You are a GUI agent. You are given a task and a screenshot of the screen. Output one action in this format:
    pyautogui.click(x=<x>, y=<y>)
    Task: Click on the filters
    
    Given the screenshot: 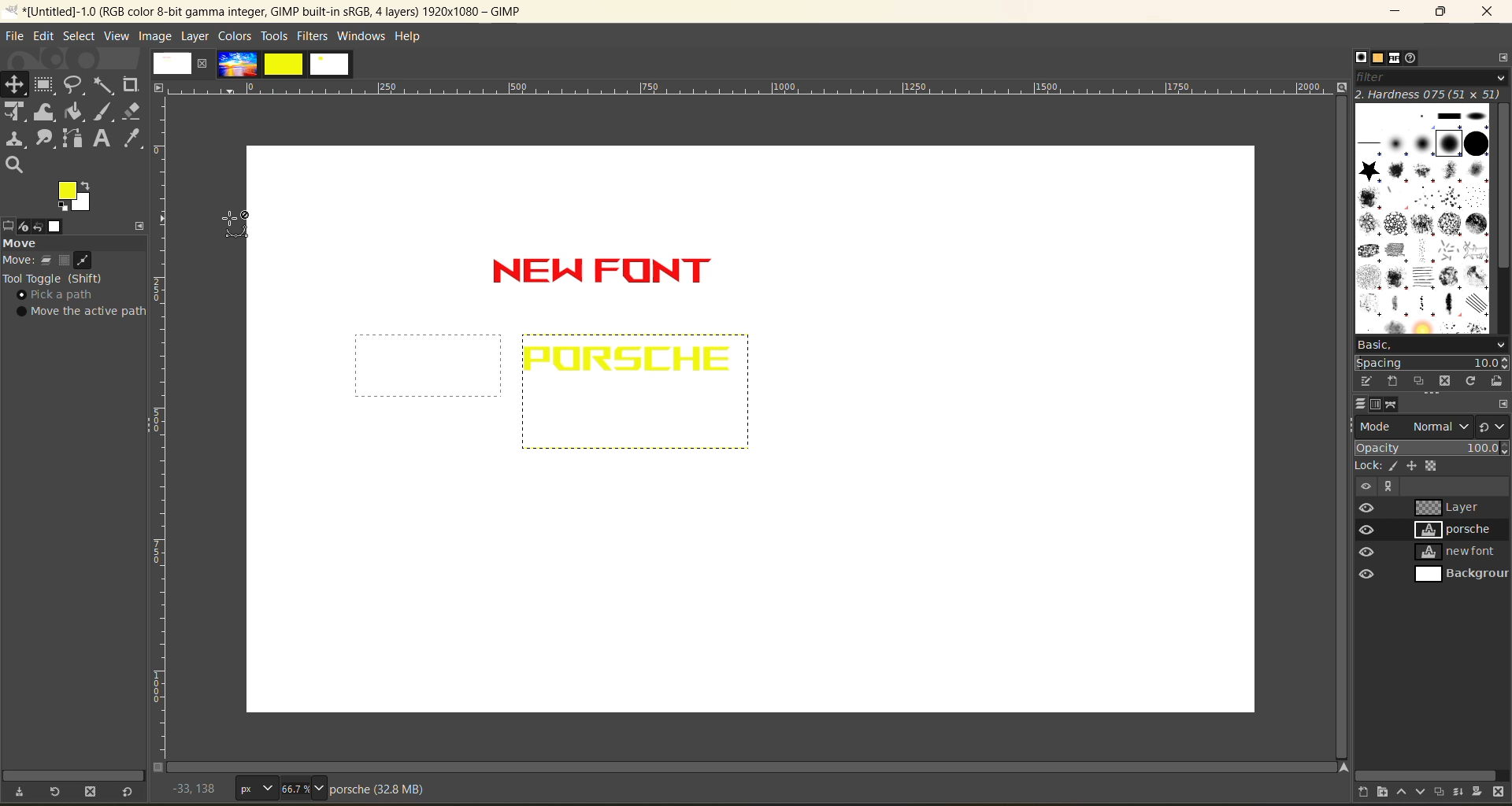 What is the action you would take?
    pyautogui.click(x=312, y=37)
    